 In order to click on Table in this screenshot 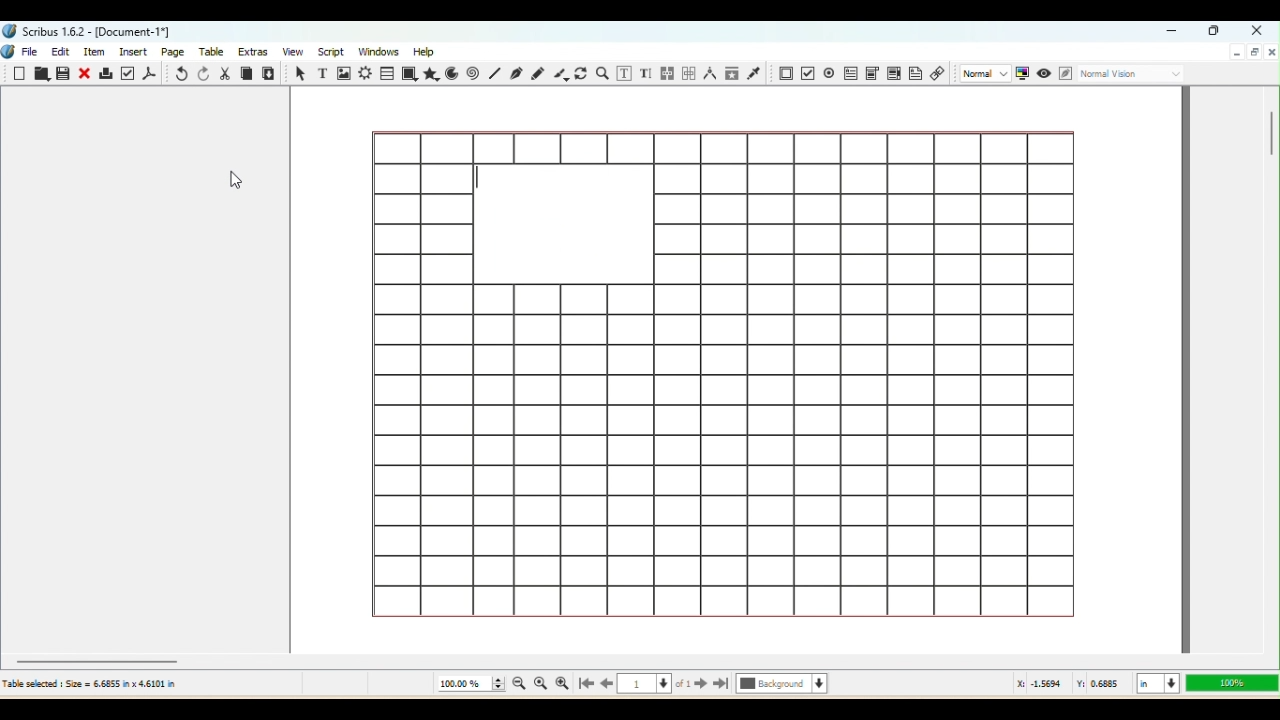, I will do `click(215, 53)`.